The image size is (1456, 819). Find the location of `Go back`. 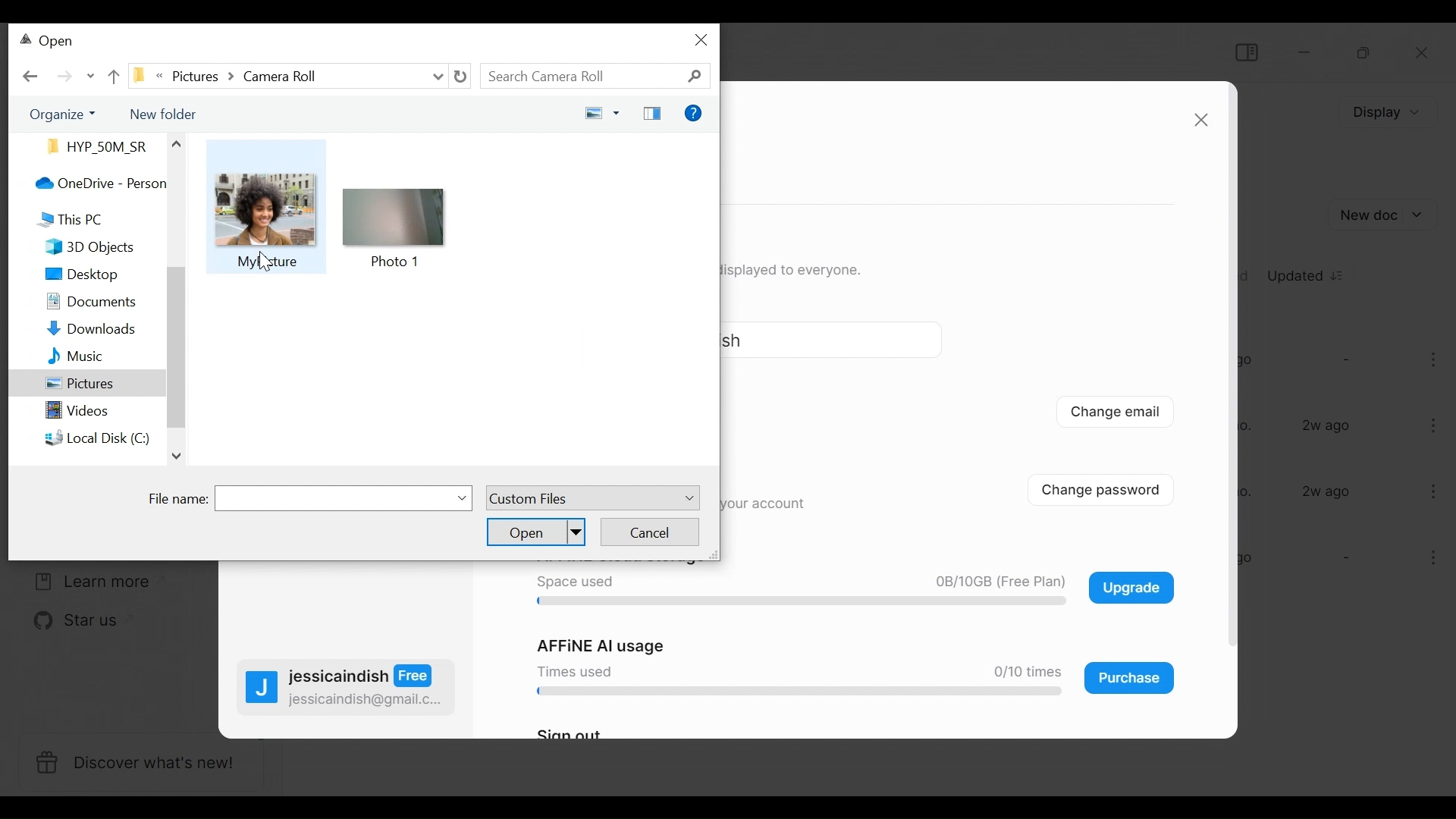

Go back is located at coordinates (31, 77).